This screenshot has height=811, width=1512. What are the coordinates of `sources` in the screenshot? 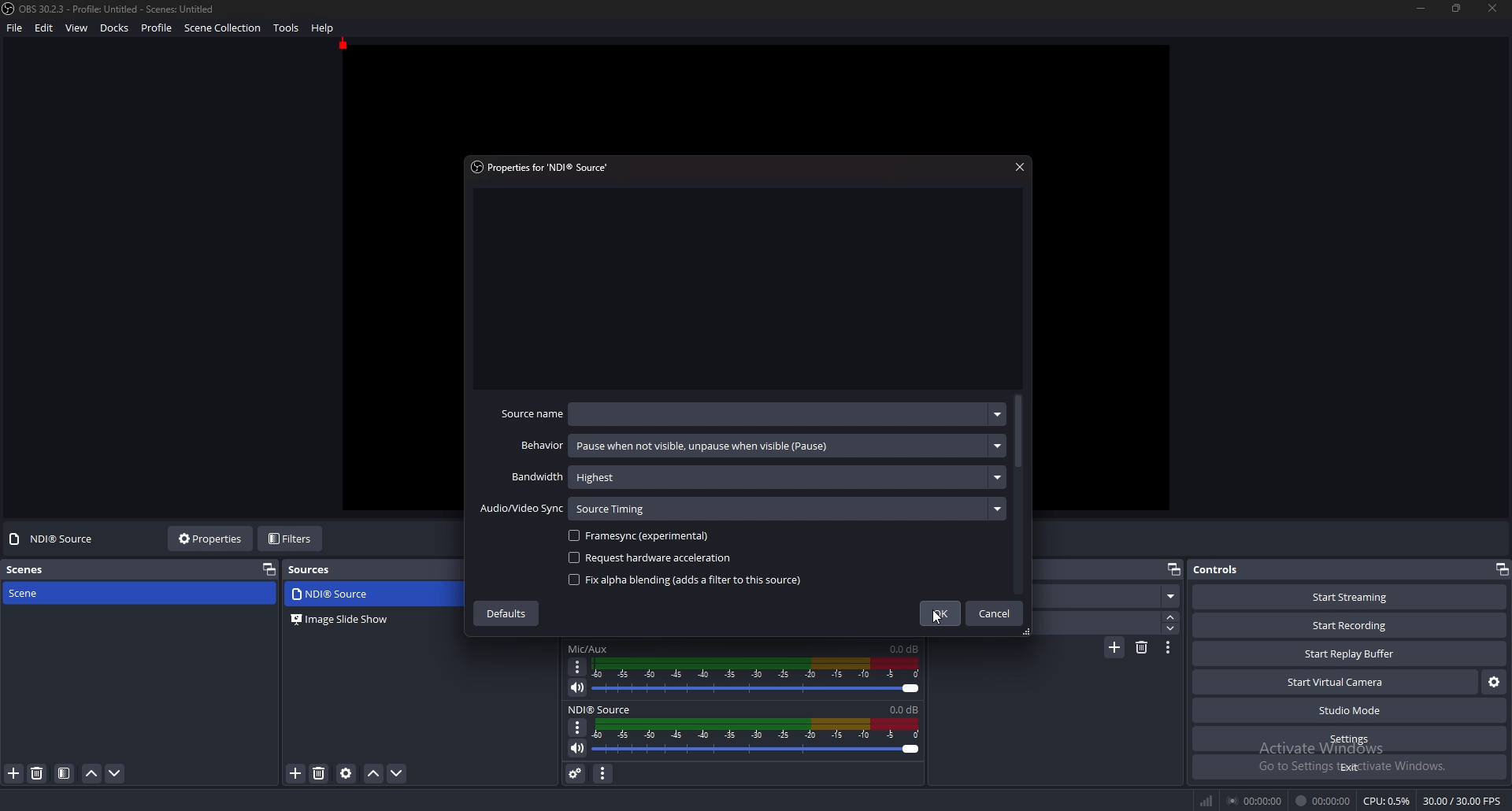 It's located at (315, 568).